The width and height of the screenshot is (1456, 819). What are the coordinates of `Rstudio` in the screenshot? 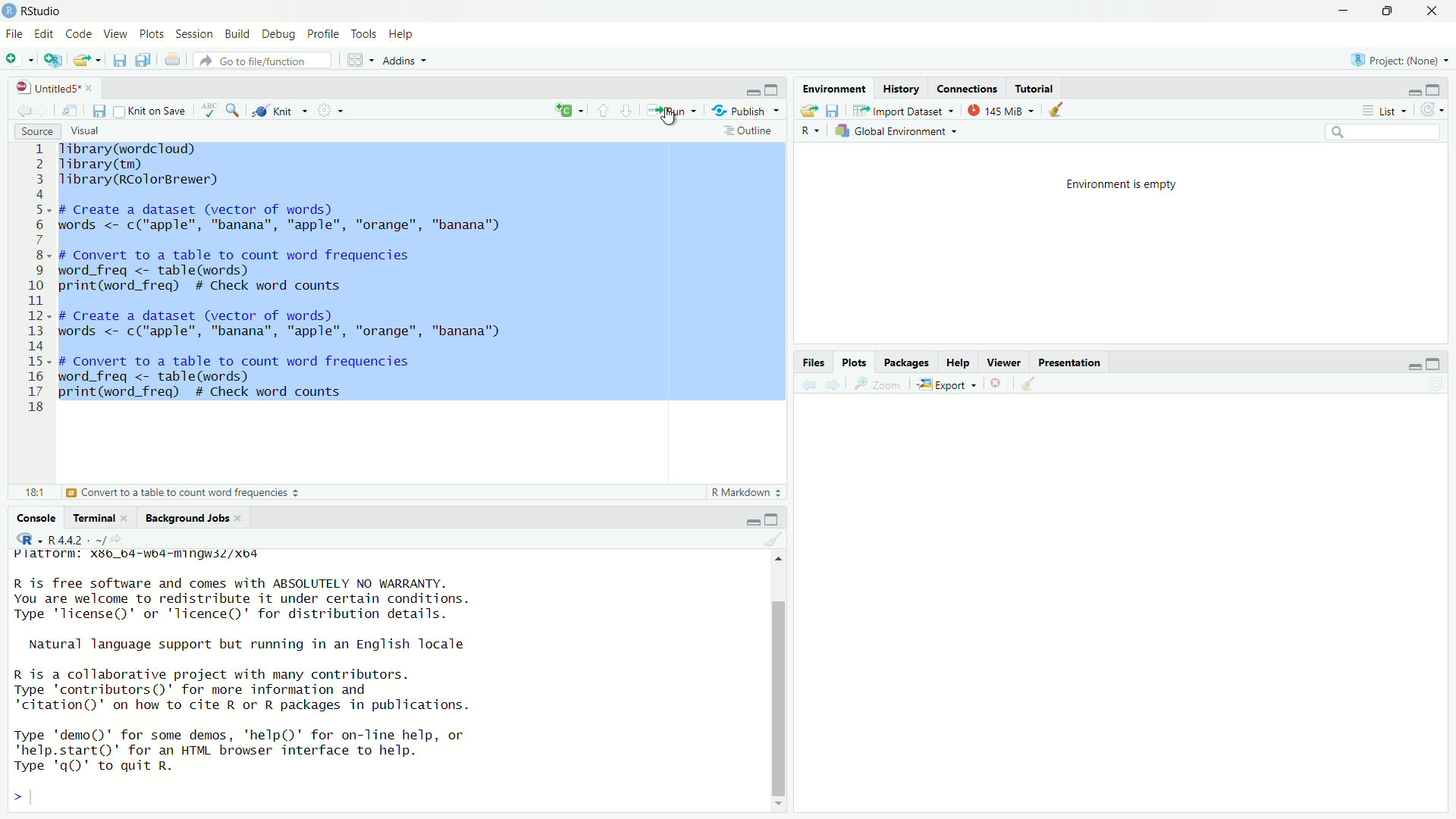 It's located at (35, 10).